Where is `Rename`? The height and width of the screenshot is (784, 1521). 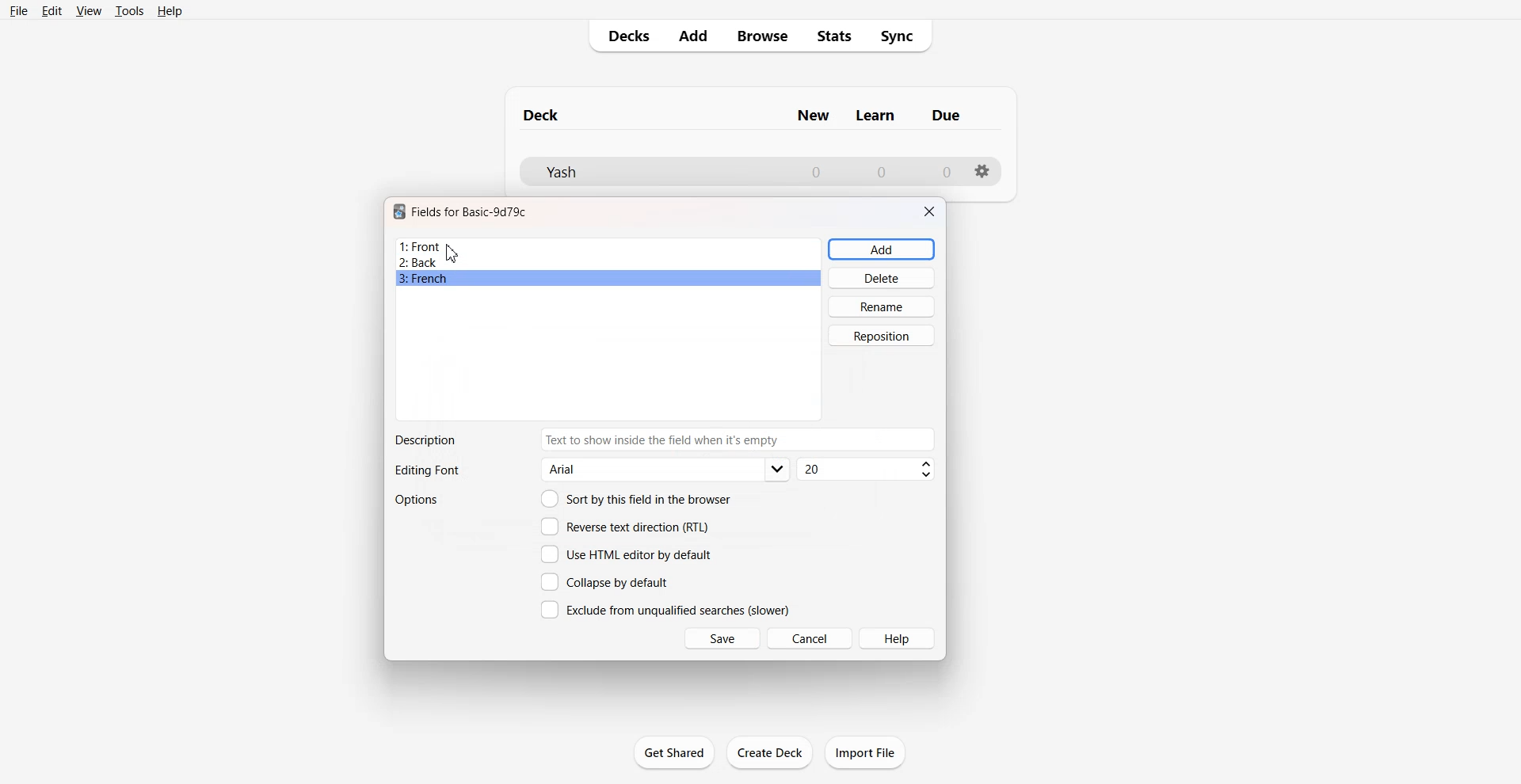
Rename is located at coordinates (882, 306).